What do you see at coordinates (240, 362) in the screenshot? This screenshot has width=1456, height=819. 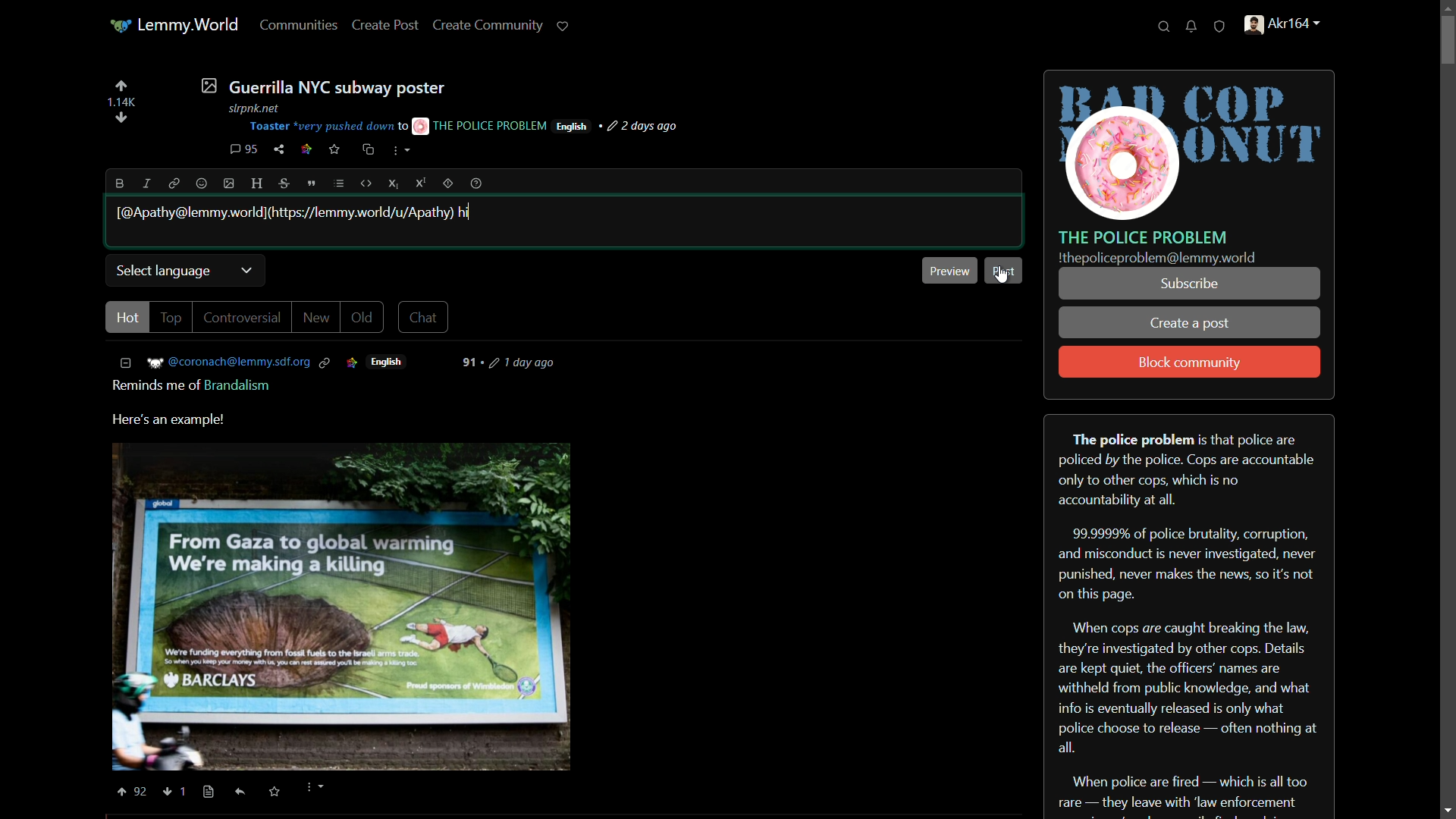 I see `‘@coronach@lemmy.sdf.org` at bounding box center [240, 362].